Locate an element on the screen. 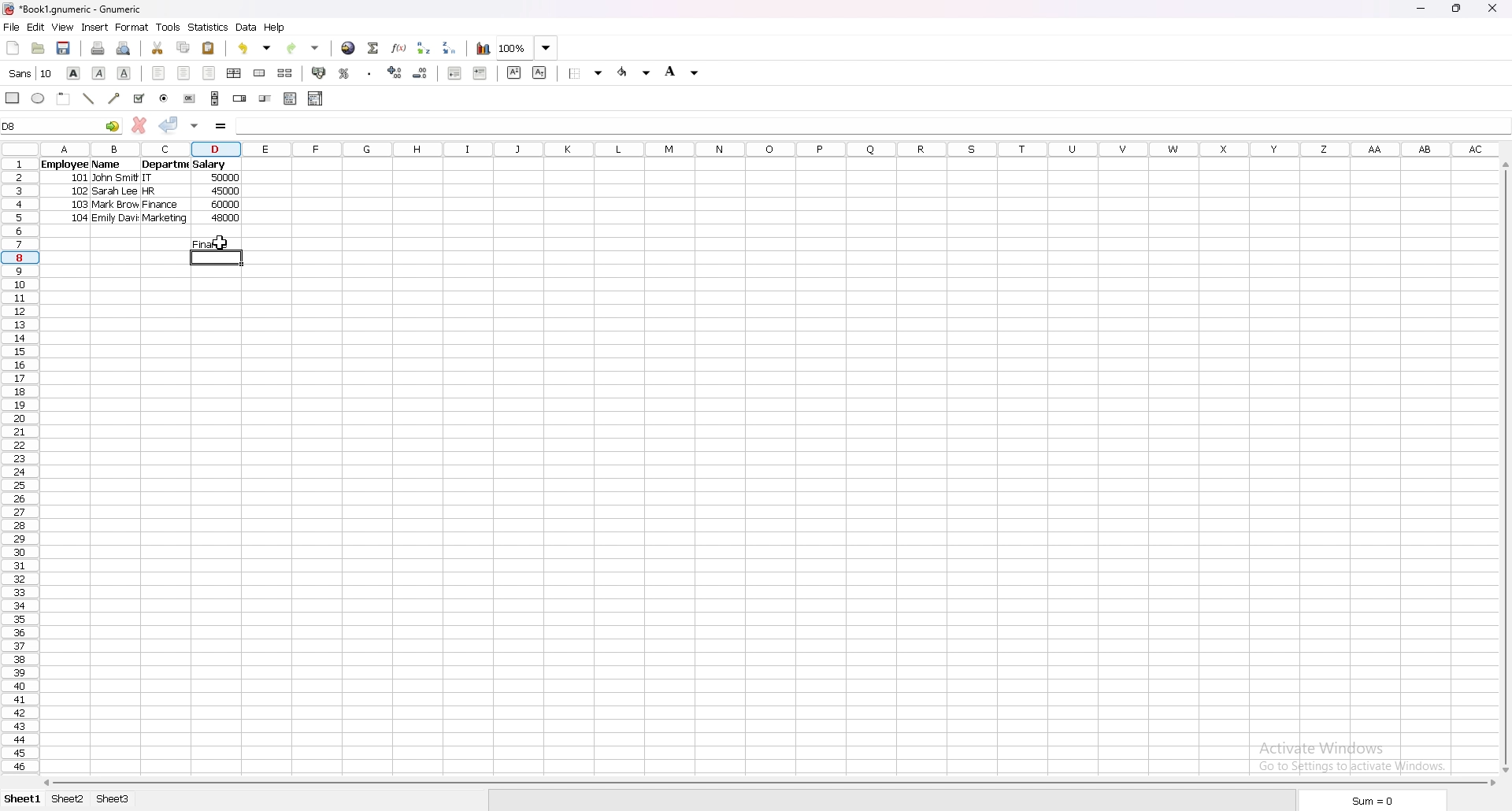  cancel changes is located at coordinates (139, 125).